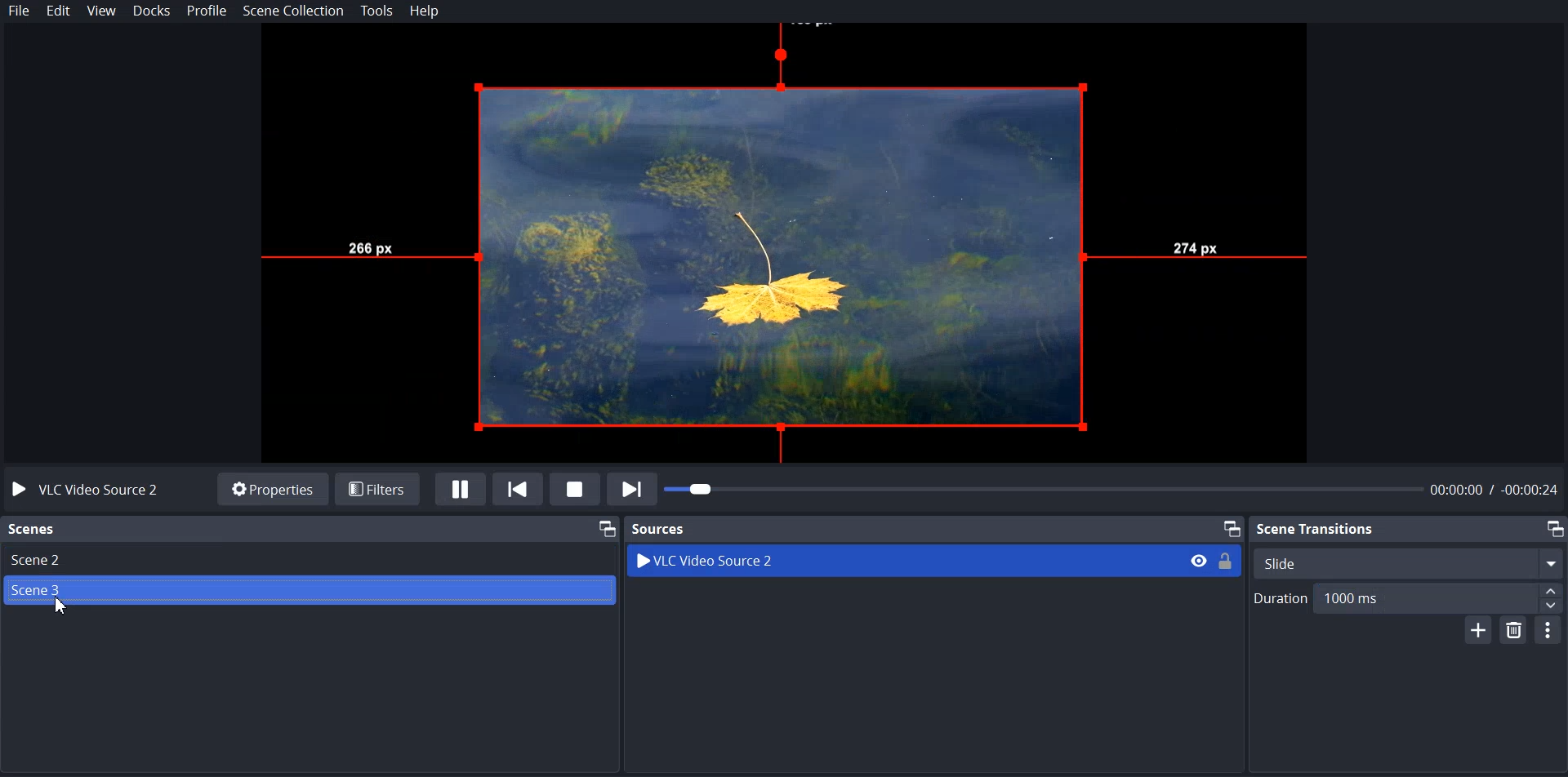 The width and height of the screenshot is (1568, 777). I want to click on Filters, so click(378, 490).